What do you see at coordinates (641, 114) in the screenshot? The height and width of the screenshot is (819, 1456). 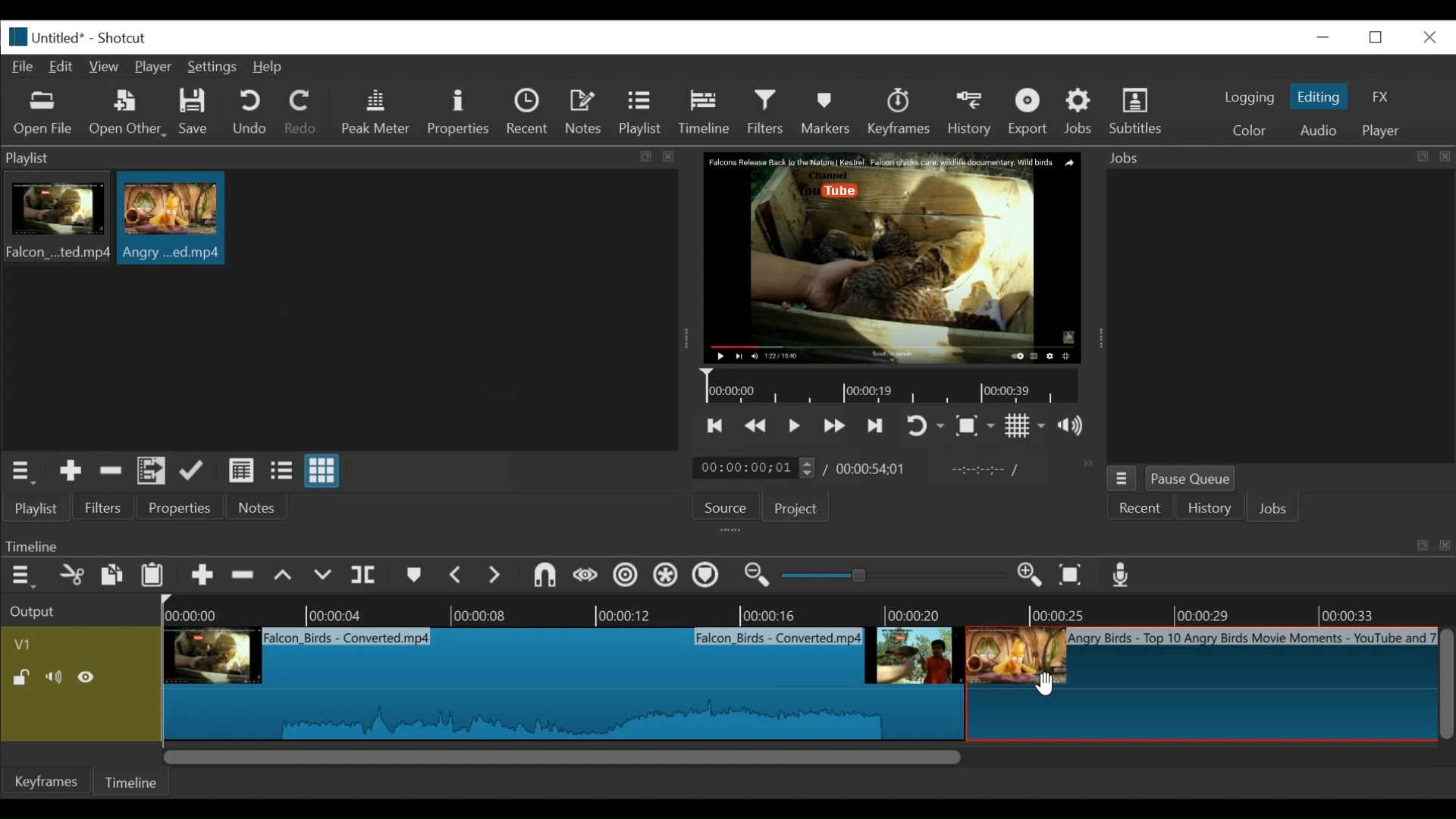 I see `Playlist` at bounding box center [641, 114].